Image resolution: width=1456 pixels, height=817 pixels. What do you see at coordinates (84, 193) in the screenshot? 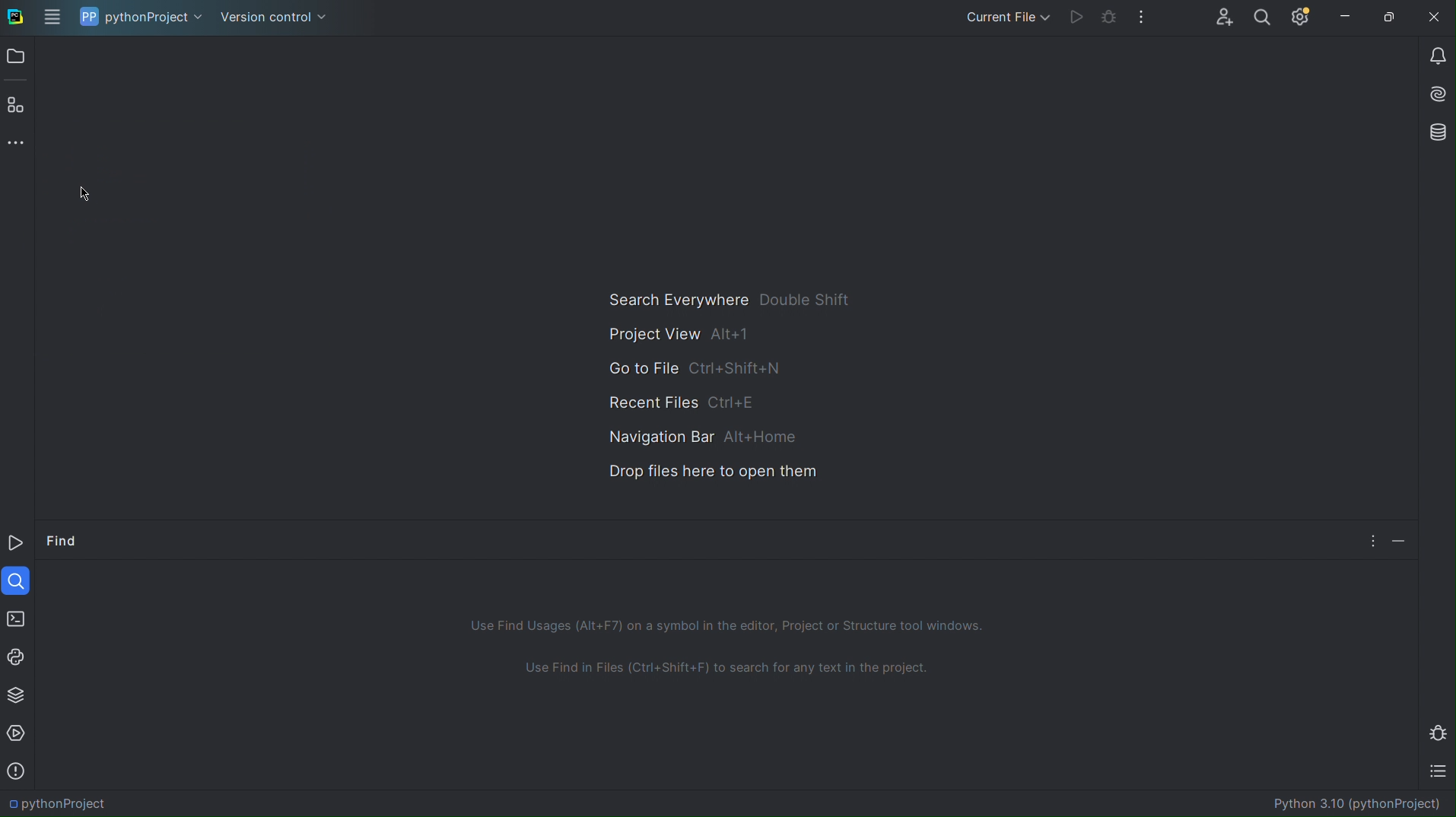
I see `Cursor` at bounding box center [84, 193].